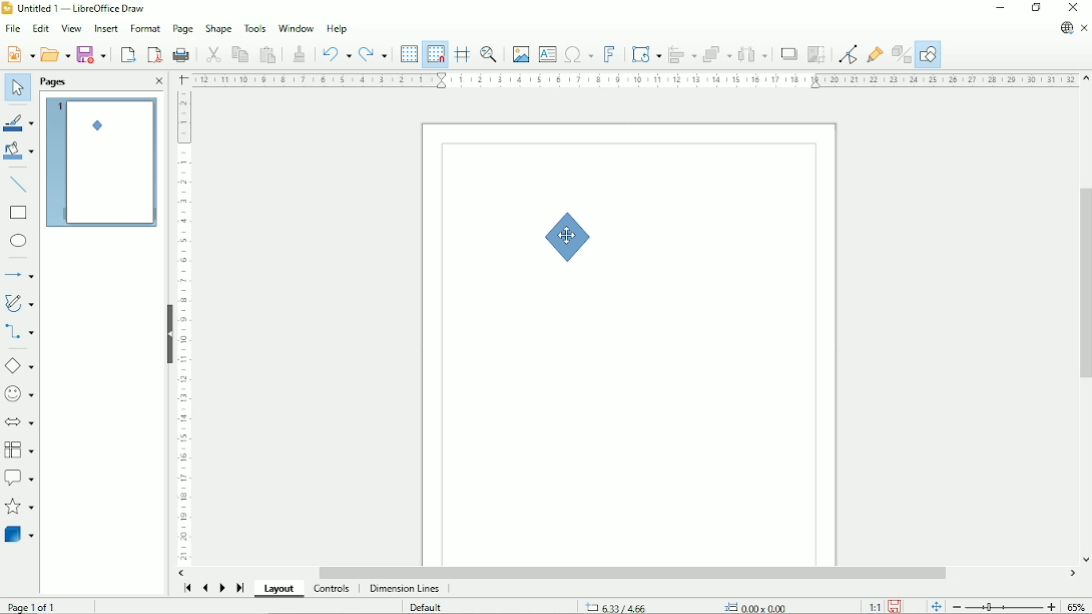 This screenshot has width=1092, height=614. What do you see at coordinates (19, 241) in the screenshot?
I see `Ellipse` at bounding box center [19, 241].